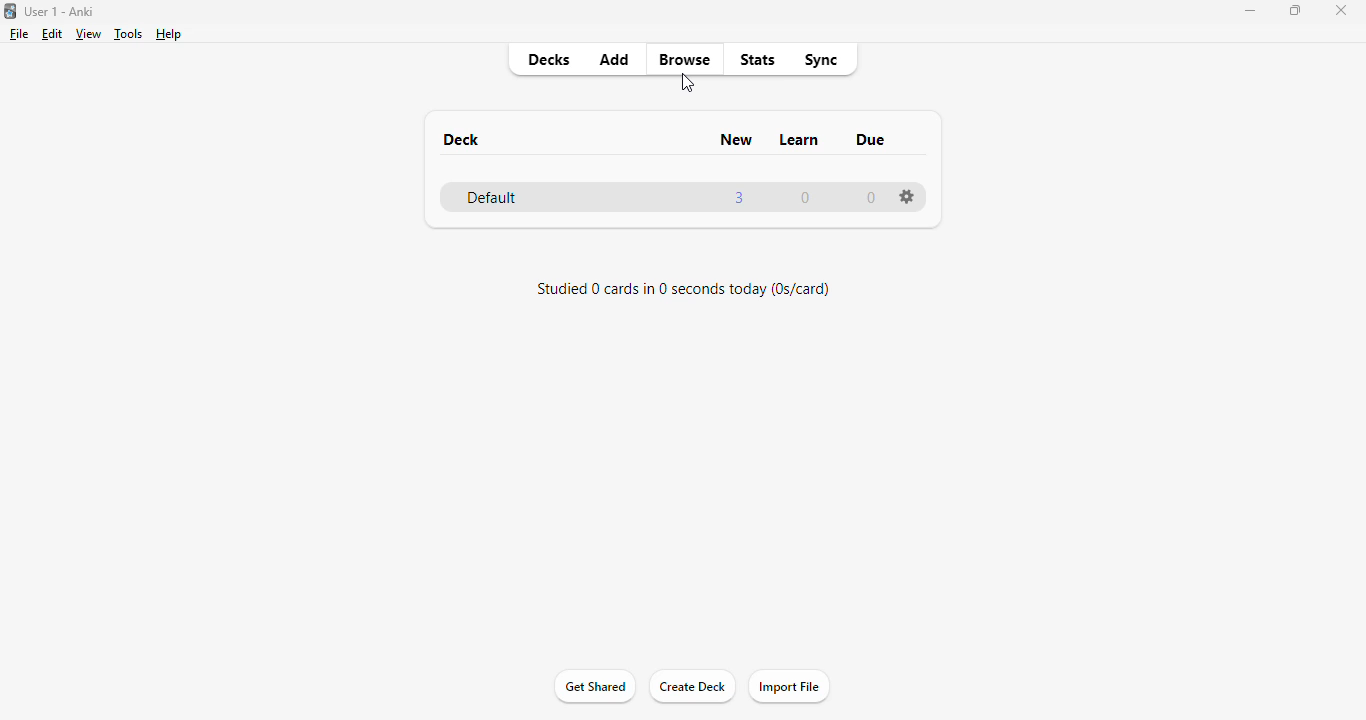 This screenshot has height=720, width=1366. What do you see at coordinates (493, 196) in the screenshot?
I see `default` at bounding box center [493, 196].